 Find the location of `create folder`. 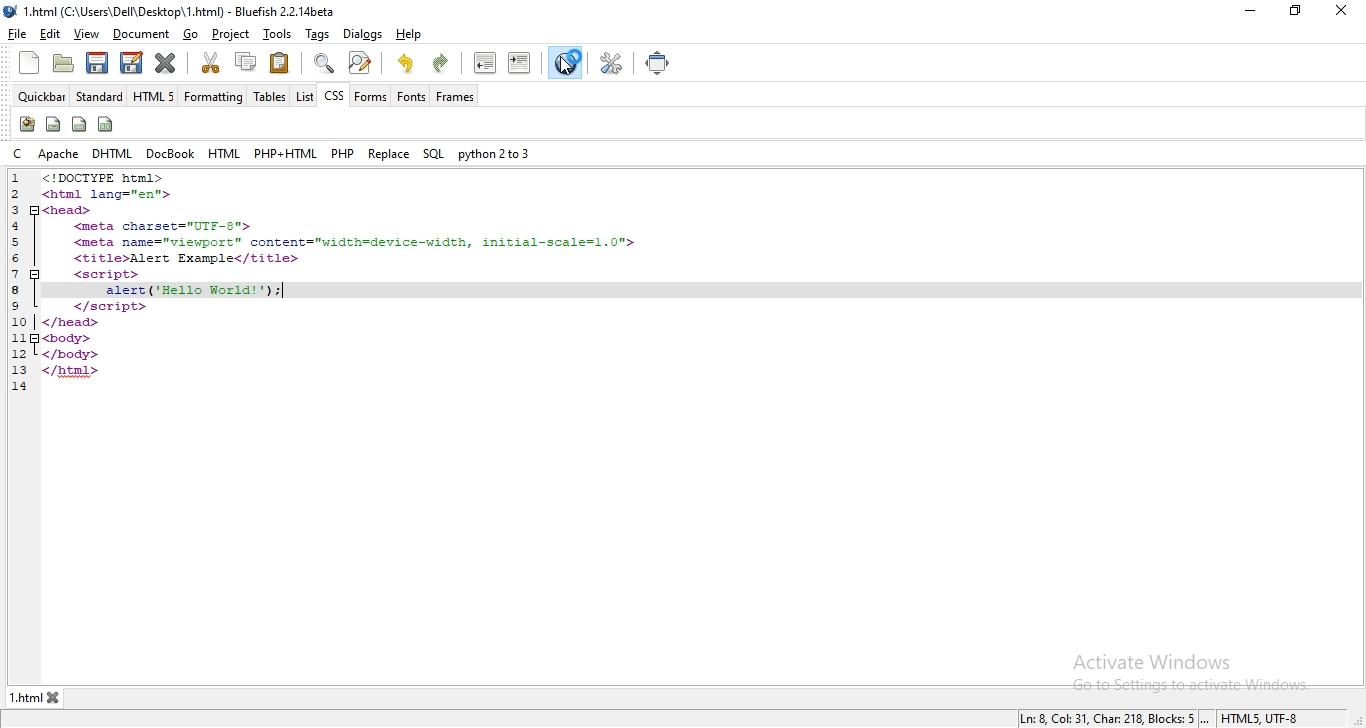

create folder is located at coordinates (65, 64).